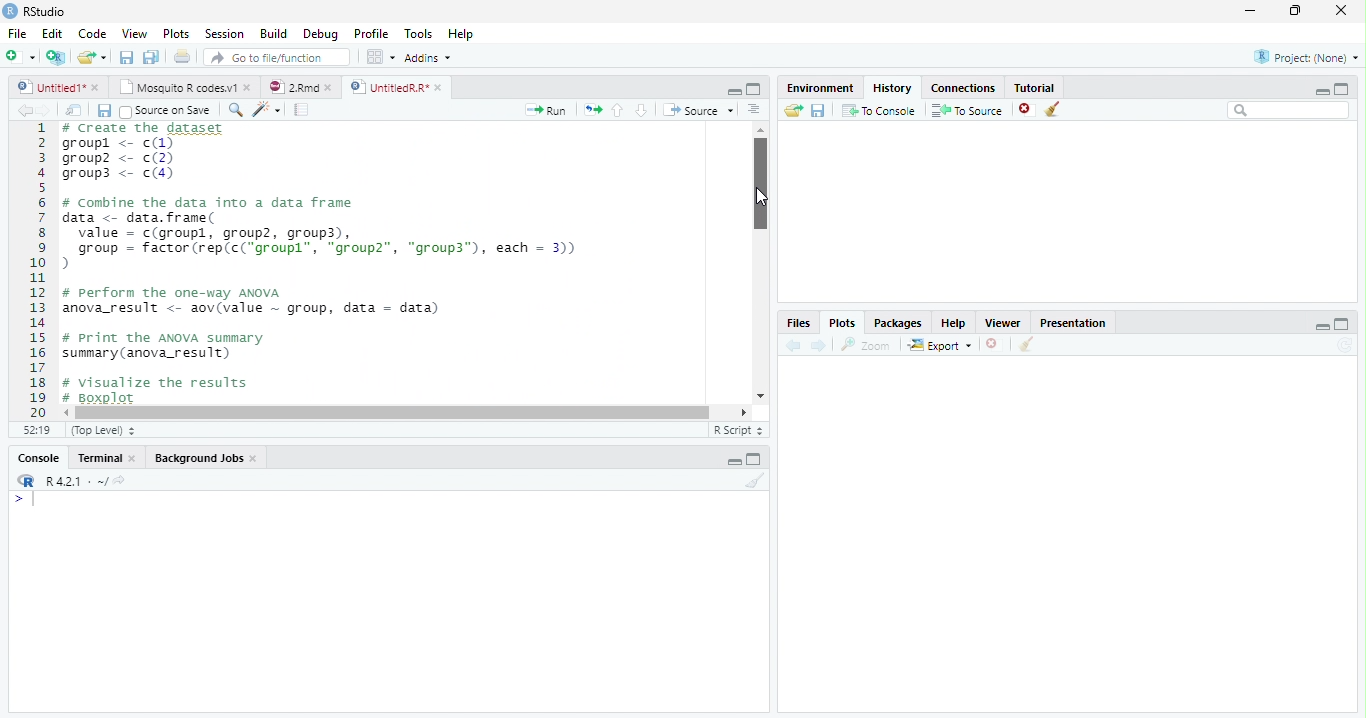 This screenshot has width=1366, height=718. Describe the element at coordinates (1081, 321) in the screenshot. I see `Presentation` at that location.